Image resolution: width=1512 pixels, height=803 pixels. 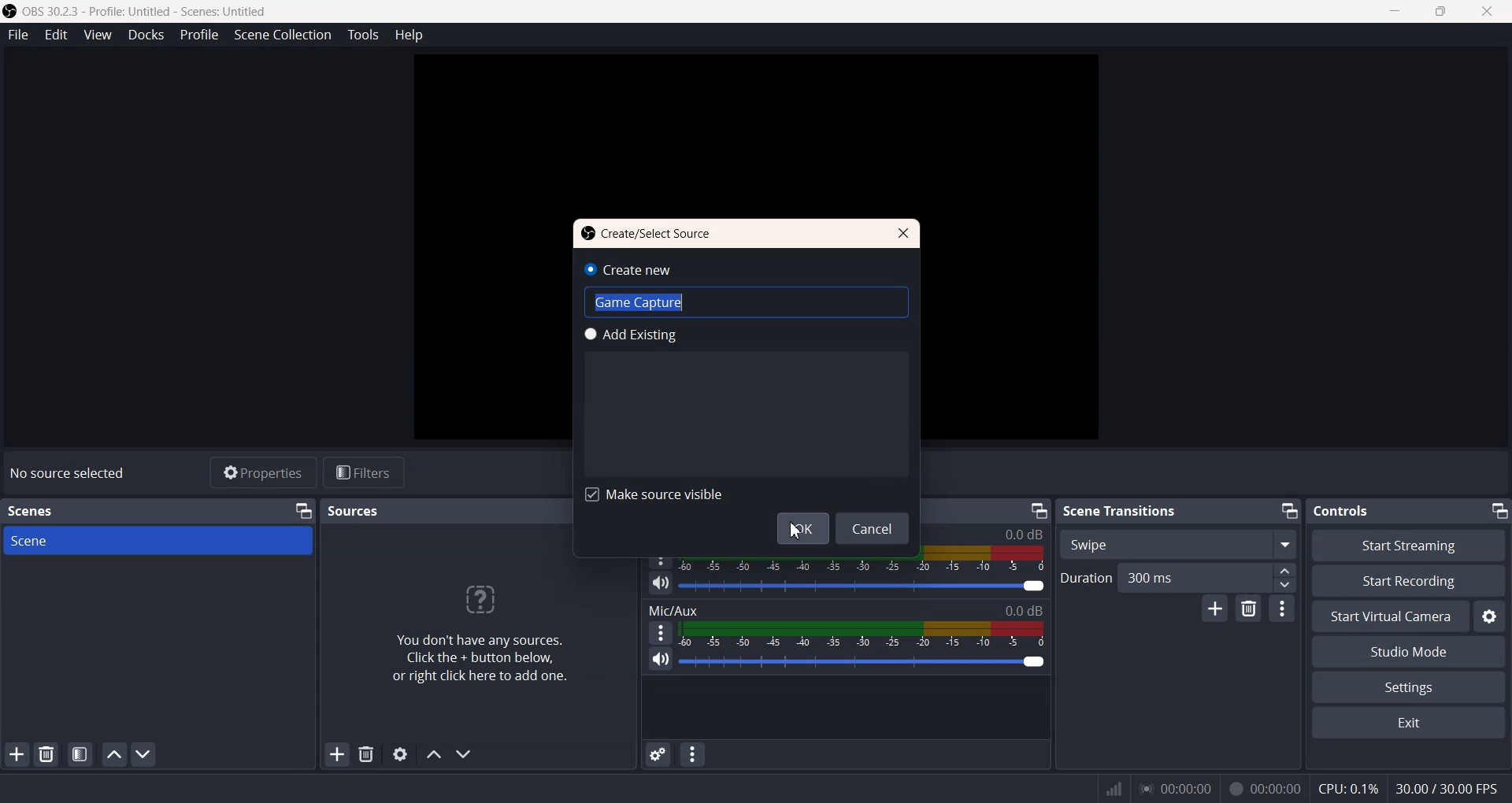 I want to click on Move Source Down, so click(x=464, y=753).